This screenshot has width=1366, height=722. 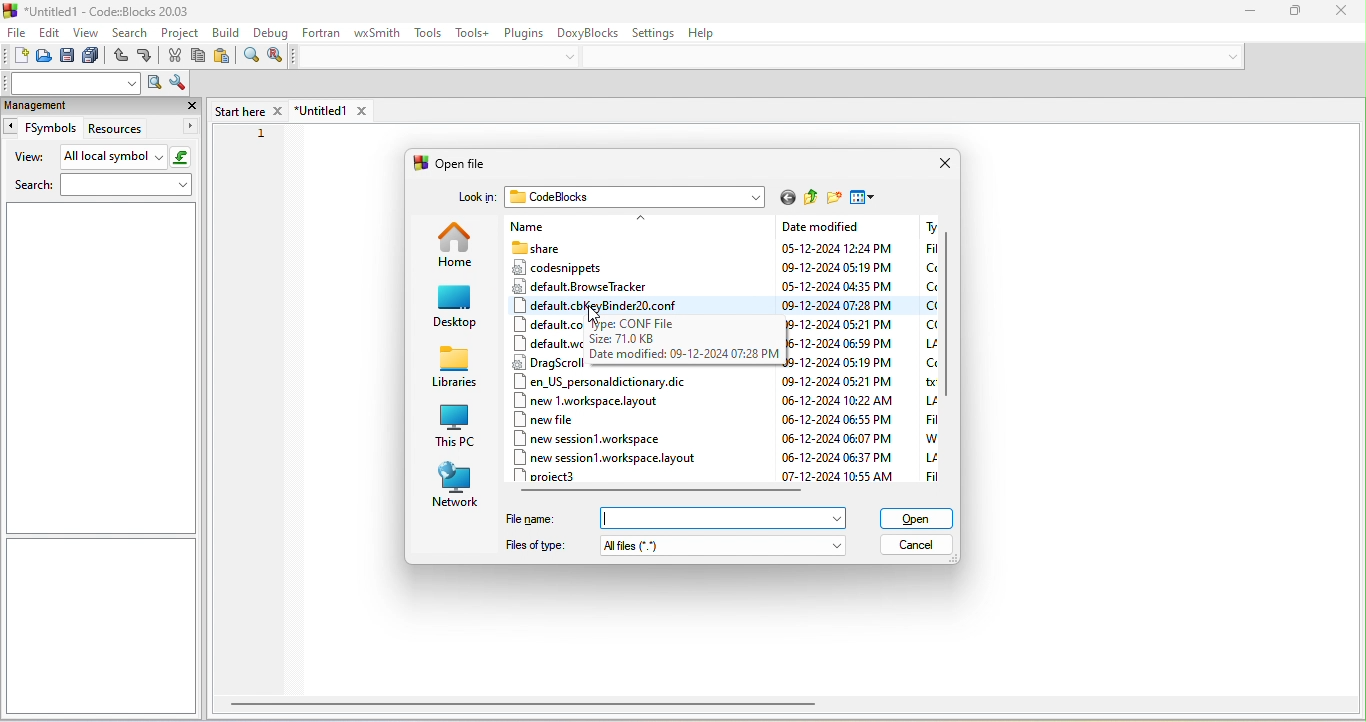 What do you see at coordinates (663, 517) in the screenshot?
I see `file name` at bounding box center [663, 517].